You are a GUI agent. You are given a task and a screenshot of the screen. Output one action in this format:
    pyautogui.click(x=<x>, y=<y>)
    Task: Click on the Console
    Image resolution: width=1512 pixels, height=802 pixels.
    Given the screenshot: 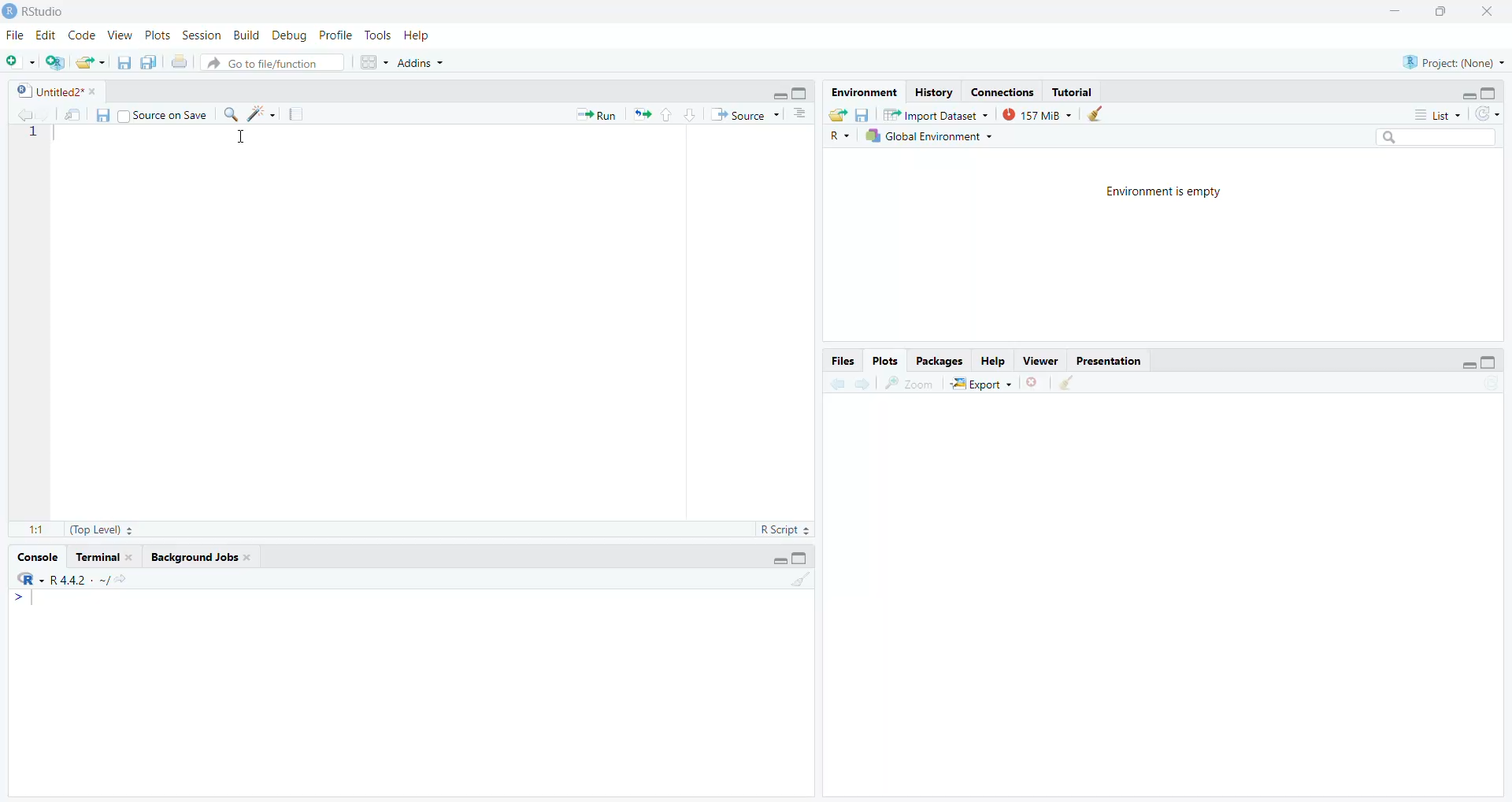 What is the action you would take?
    pyautogui.click(x=37, y=555)
    